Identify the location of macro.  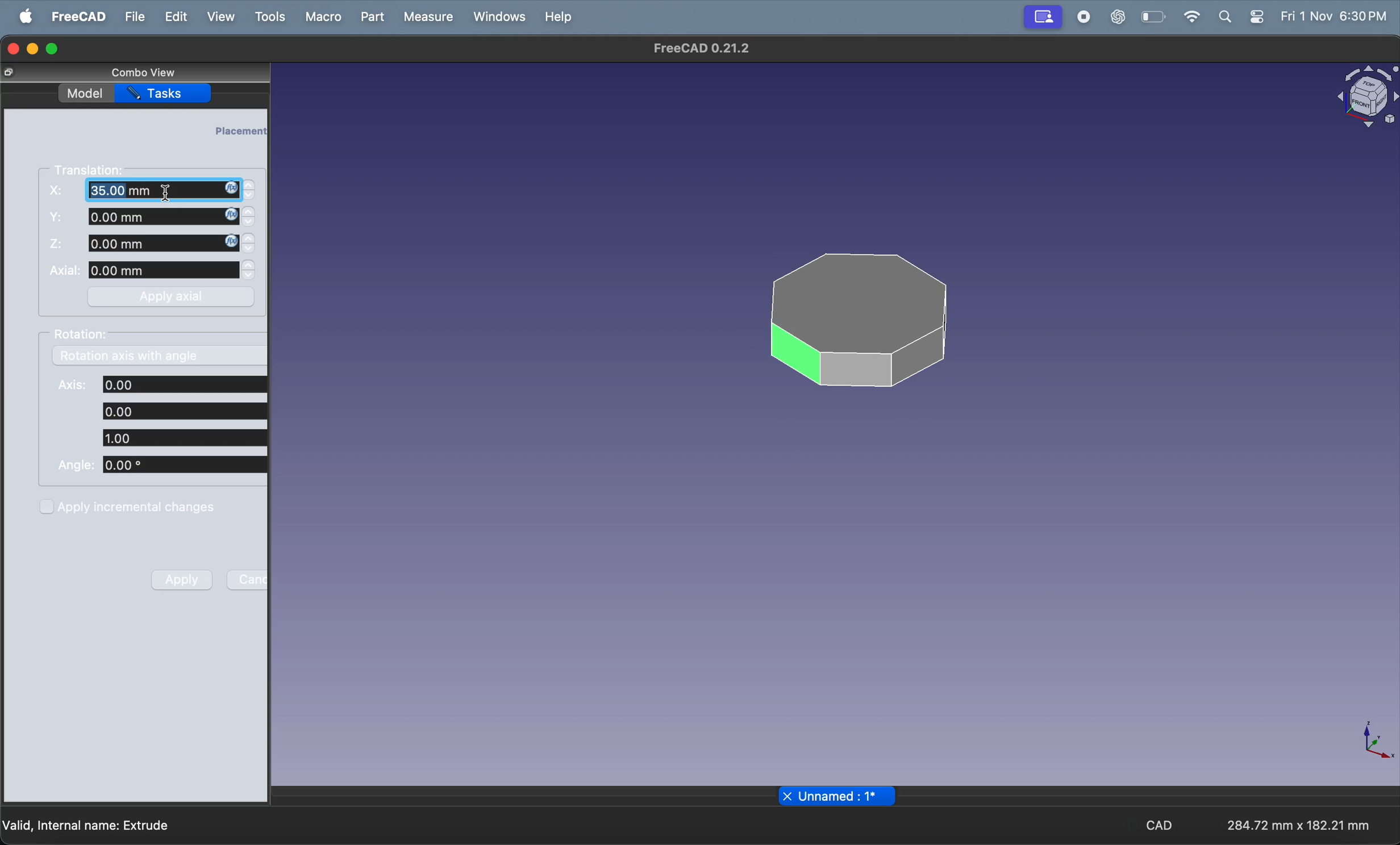
(320, 16).